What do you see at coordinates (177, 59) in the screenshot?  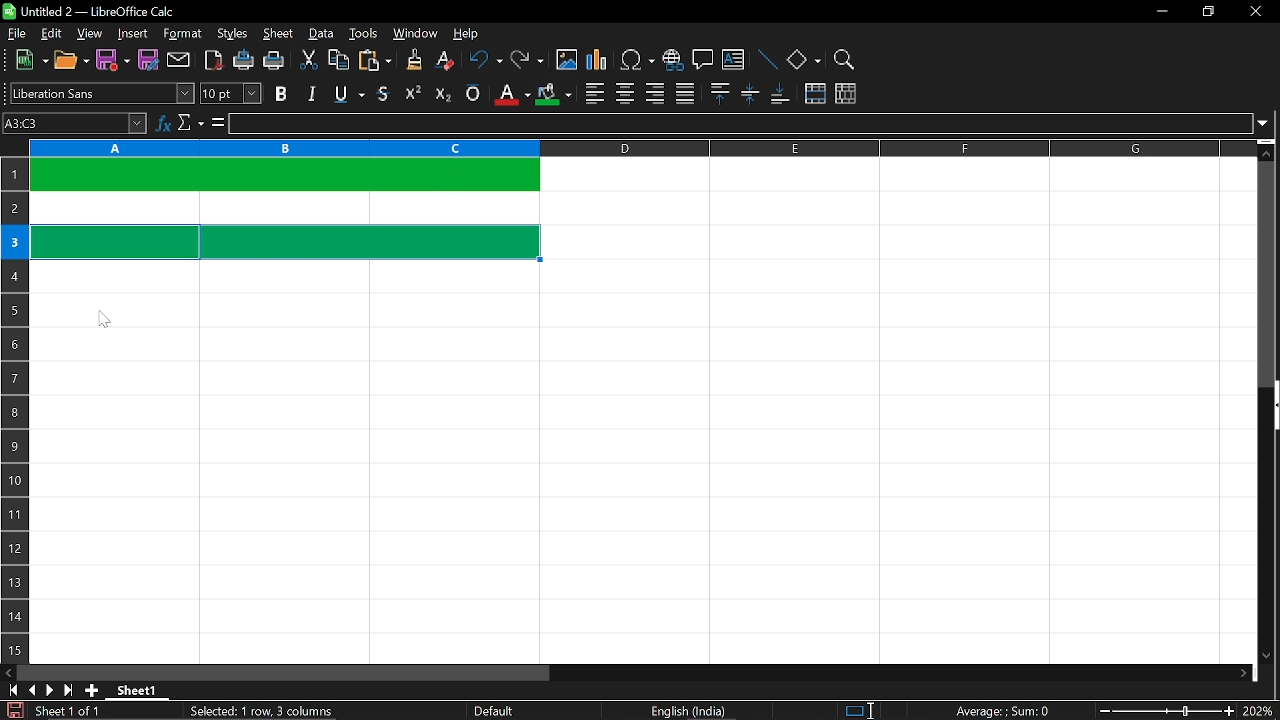 I see `attach` at bounding box center [177, 59].